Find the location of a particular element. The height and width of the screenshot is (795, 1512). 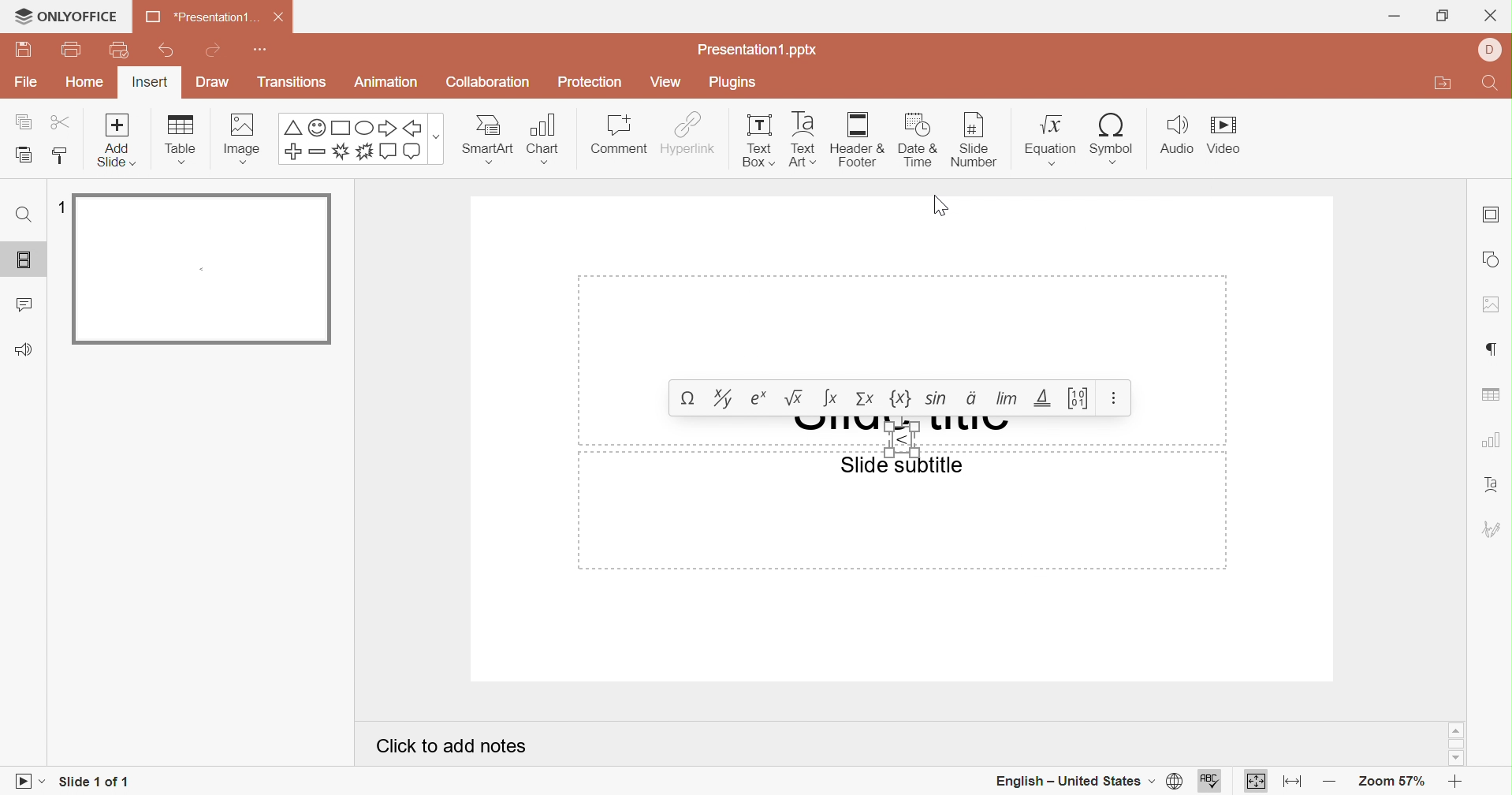

table settings is located at coordinates (1493, 396).